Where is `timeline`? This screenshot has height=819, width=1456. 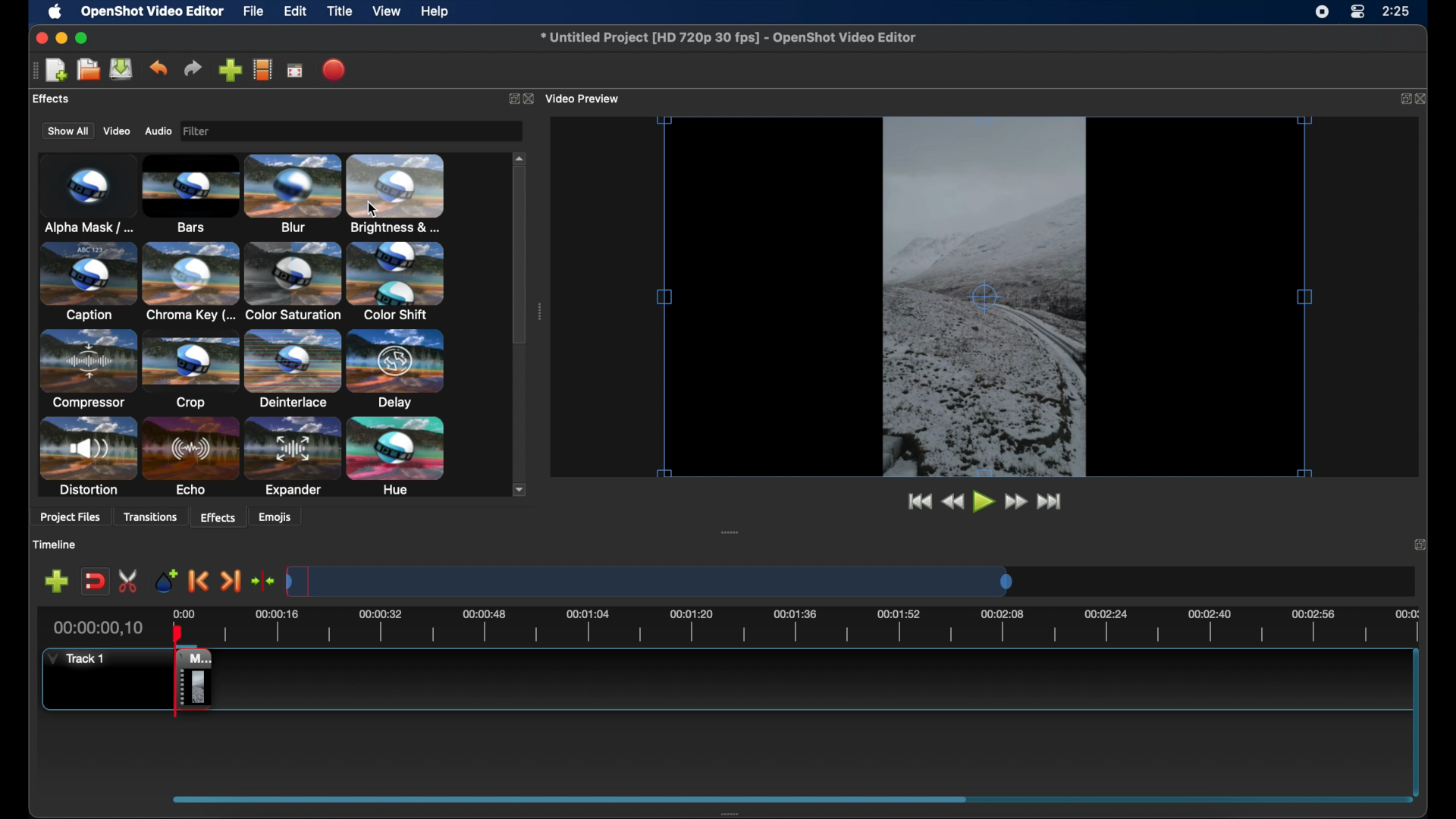 timeline is located at coordinates (55, 544).